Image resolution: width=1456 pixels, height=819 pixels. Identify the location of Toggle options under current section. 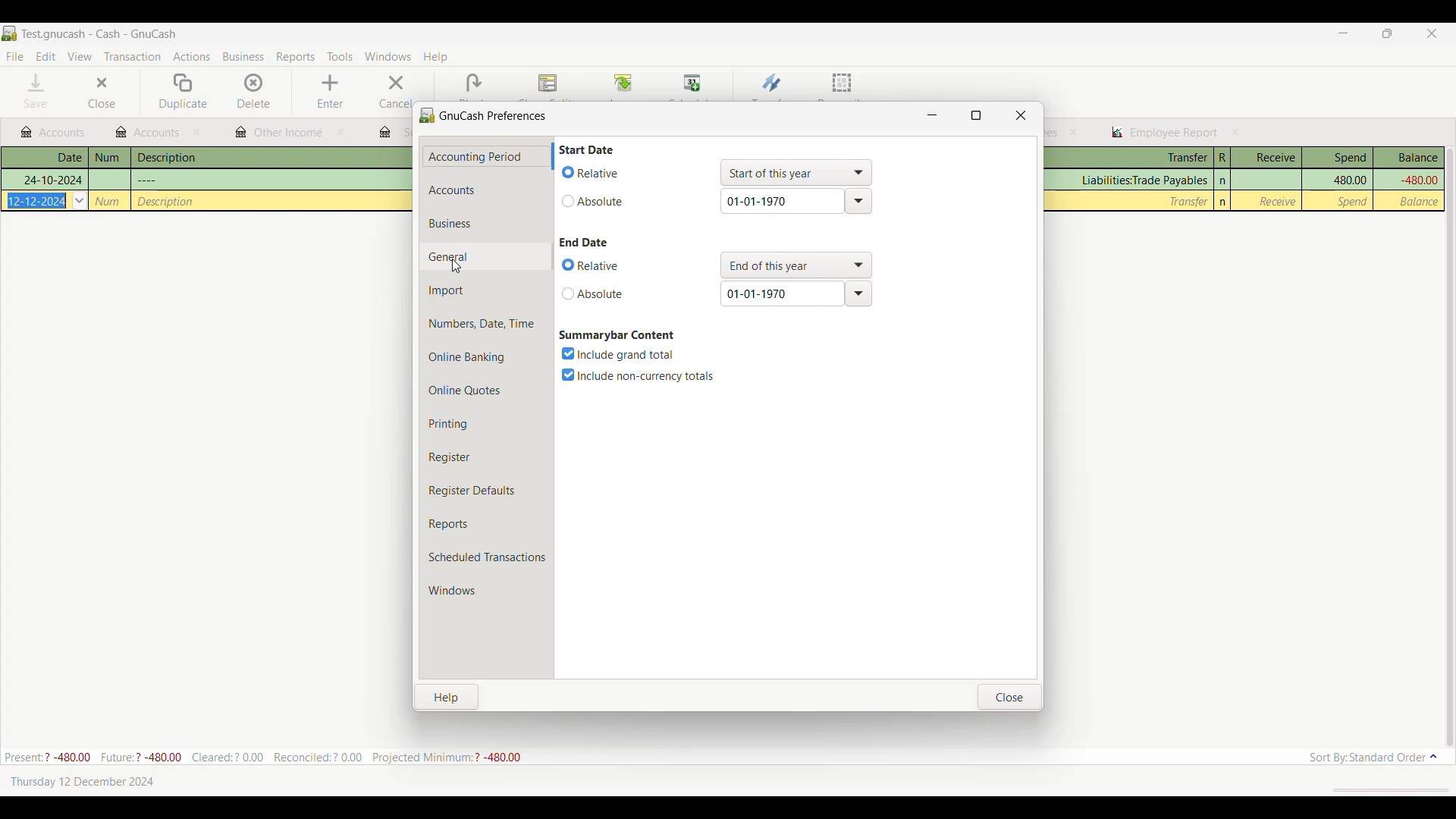
(622, 354).